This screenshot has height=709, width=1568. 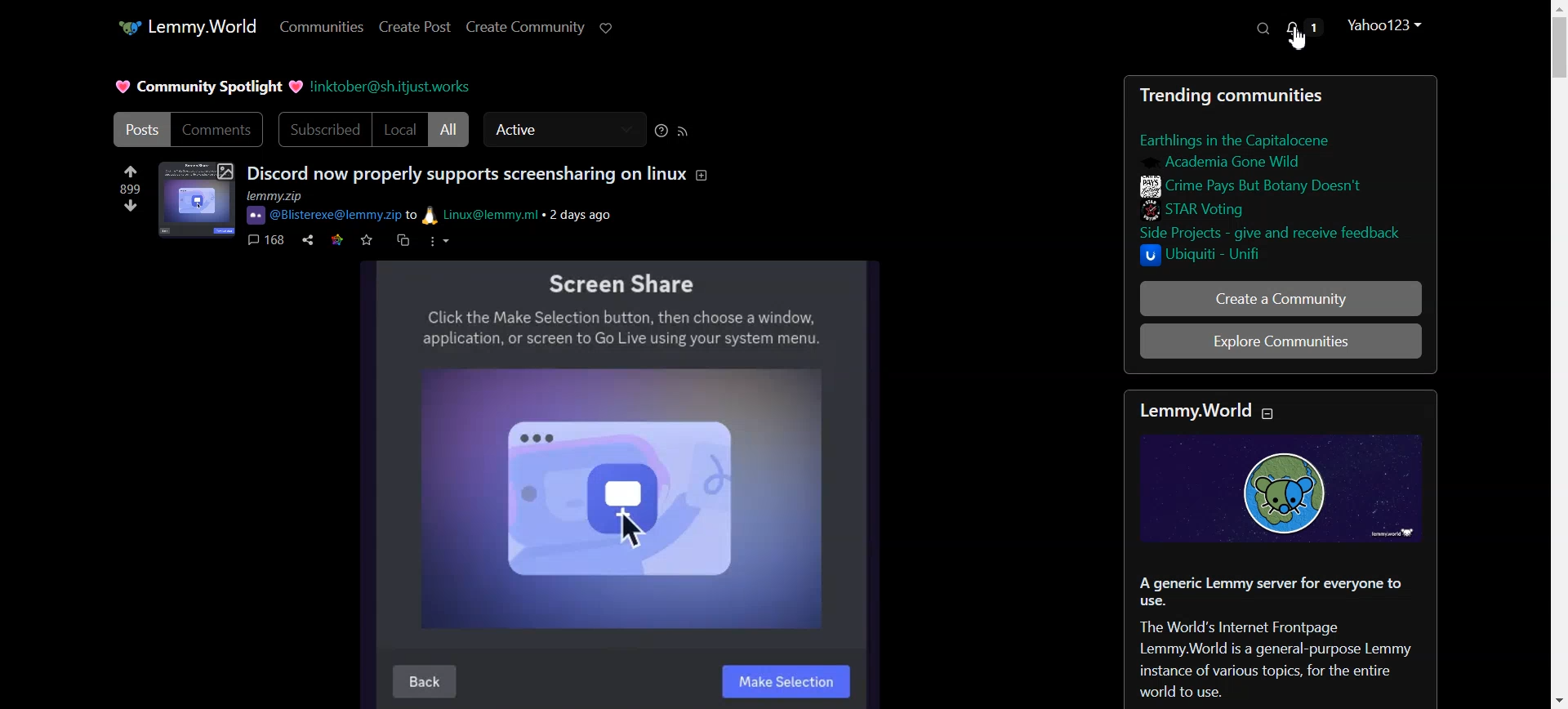 I want to click on Sorting Help, so click(x=663, y=131).